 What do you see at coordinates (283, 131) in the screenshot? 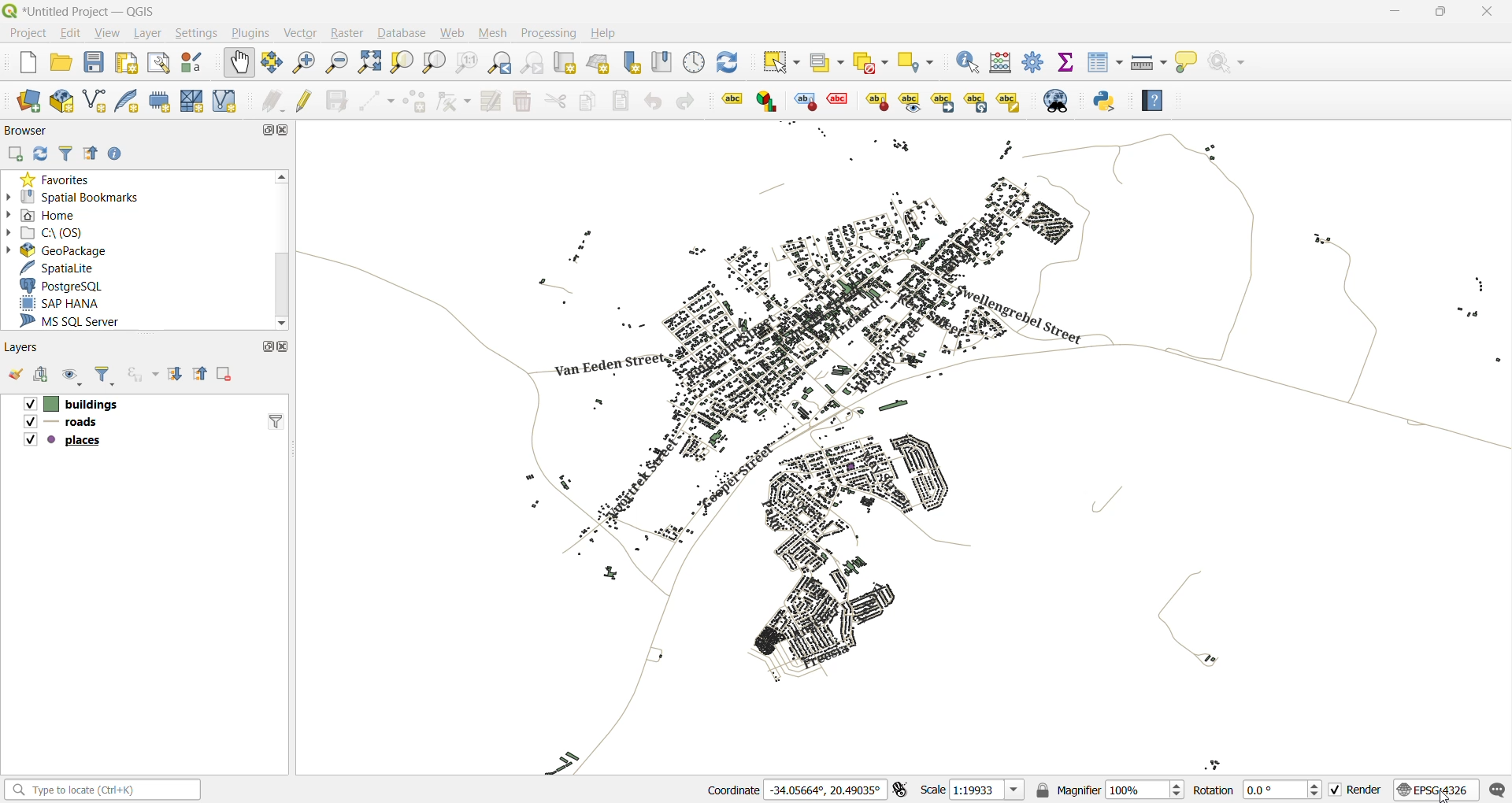
I see `close` at bounding box center [283, 131].